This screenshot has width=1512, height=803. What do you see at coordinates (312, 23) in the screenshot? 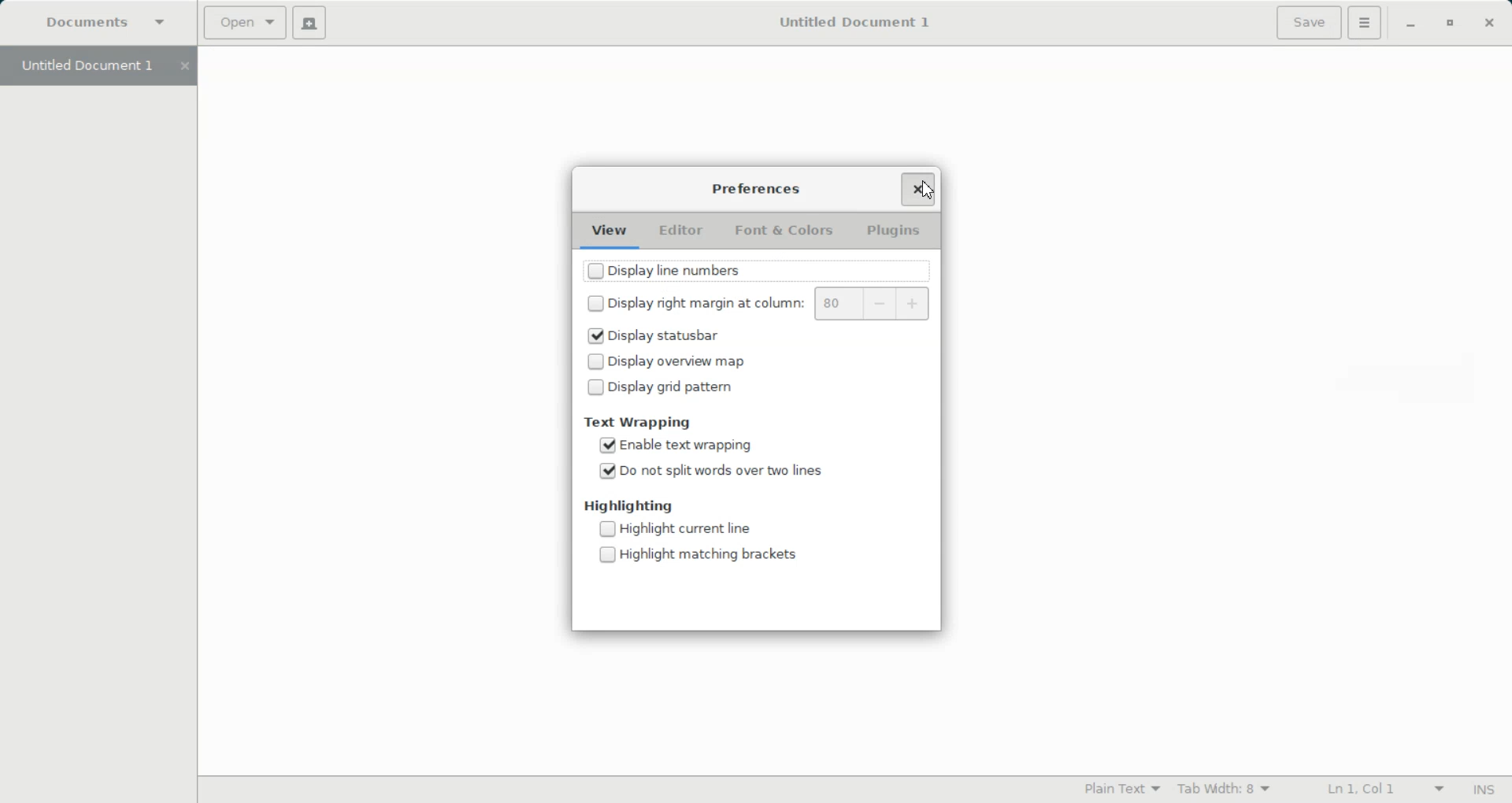
I see `Create a document` at bounding box center [312, 23].